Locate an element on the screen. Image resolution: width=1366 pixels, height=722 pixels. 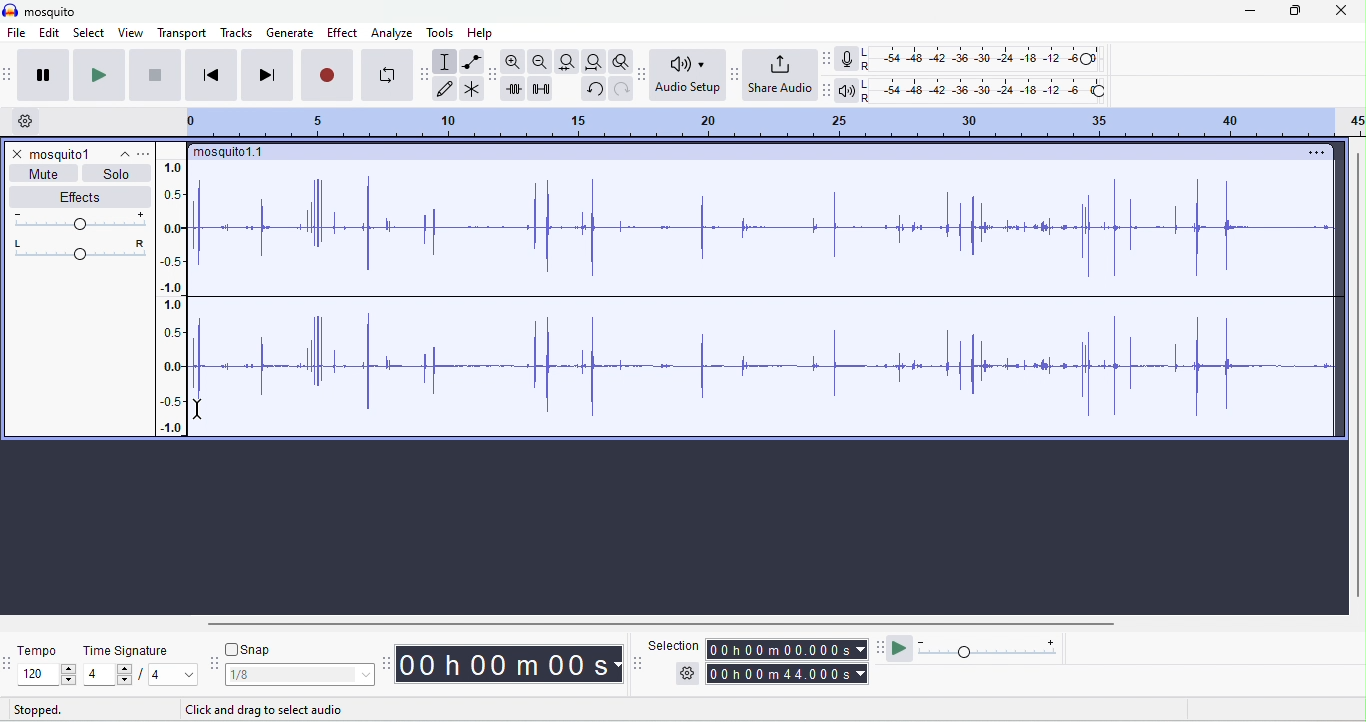
redo is located at coordinates (622, 90).